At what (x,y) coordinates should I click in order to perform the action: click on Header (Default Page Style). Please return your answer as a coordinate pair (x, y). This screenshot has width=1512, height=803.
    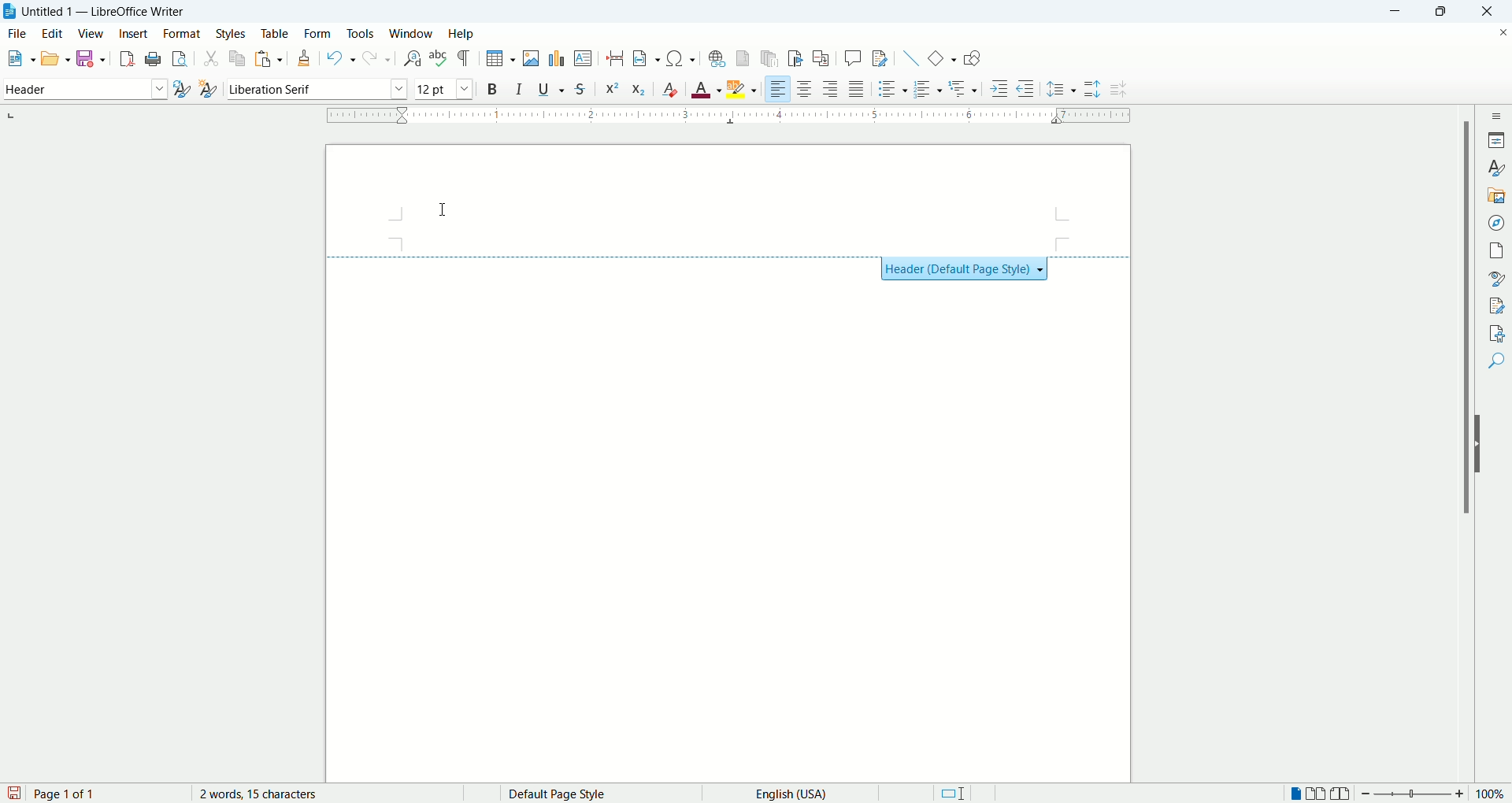
    Looking at the image, I should click on (962, 272).